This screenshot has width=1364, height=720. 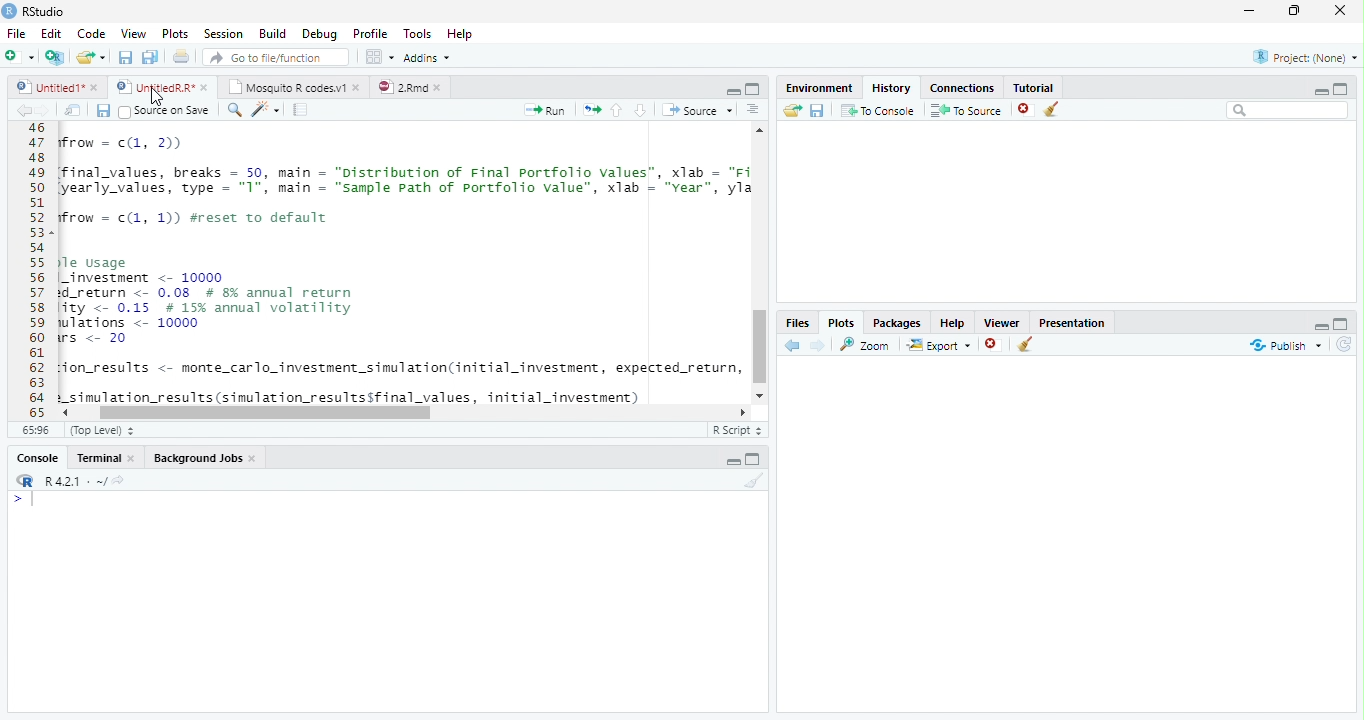 What do you see at coordinates (1285, 345) in the screenshot?
I see `publish` at bounding box center [1285, 345].